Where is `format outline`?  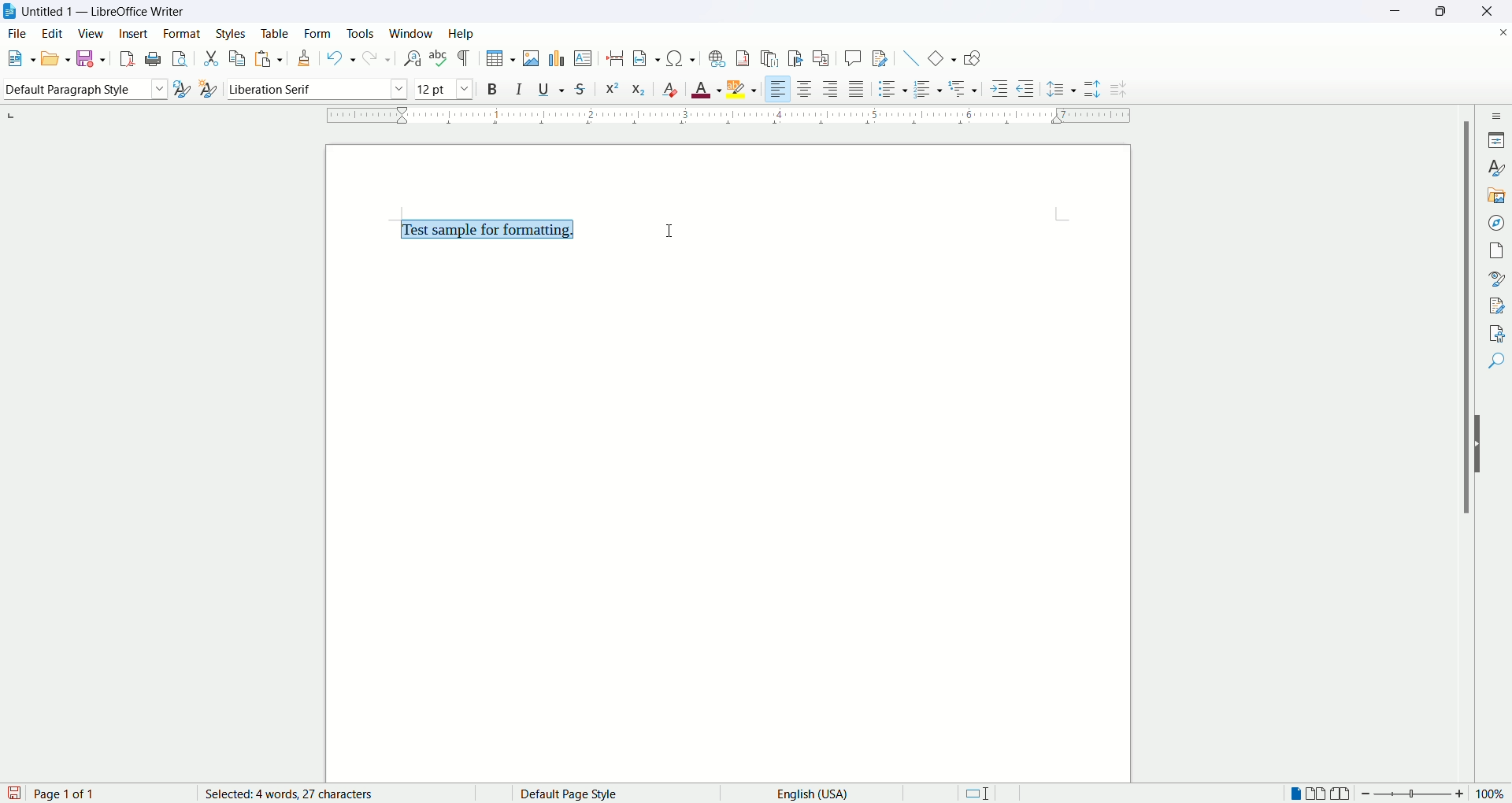
format outline is located at coordinates (964, 88).